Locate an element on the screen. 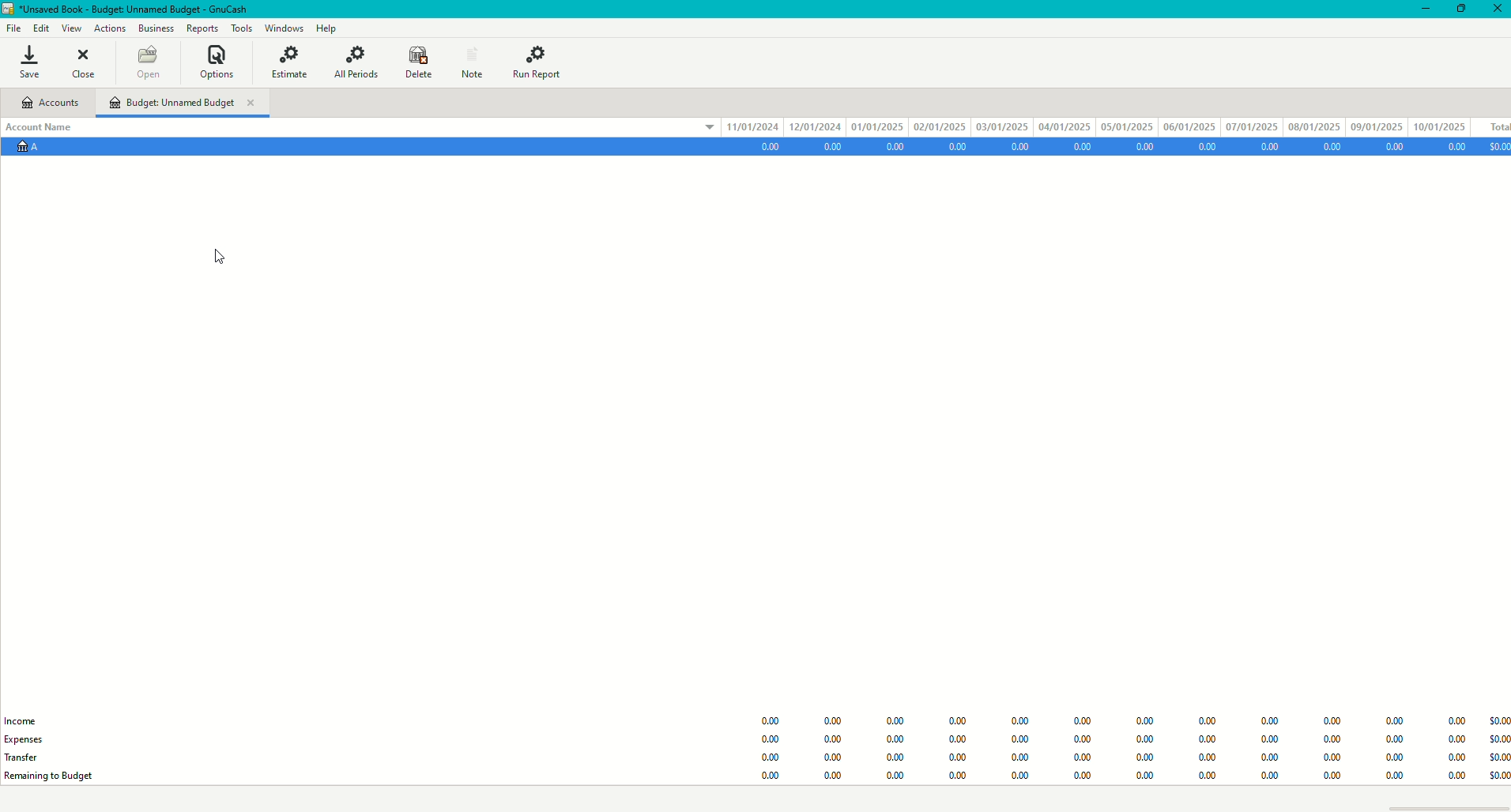 The image size is (1511, 812). Estimate is located at coordinates (293, 63).